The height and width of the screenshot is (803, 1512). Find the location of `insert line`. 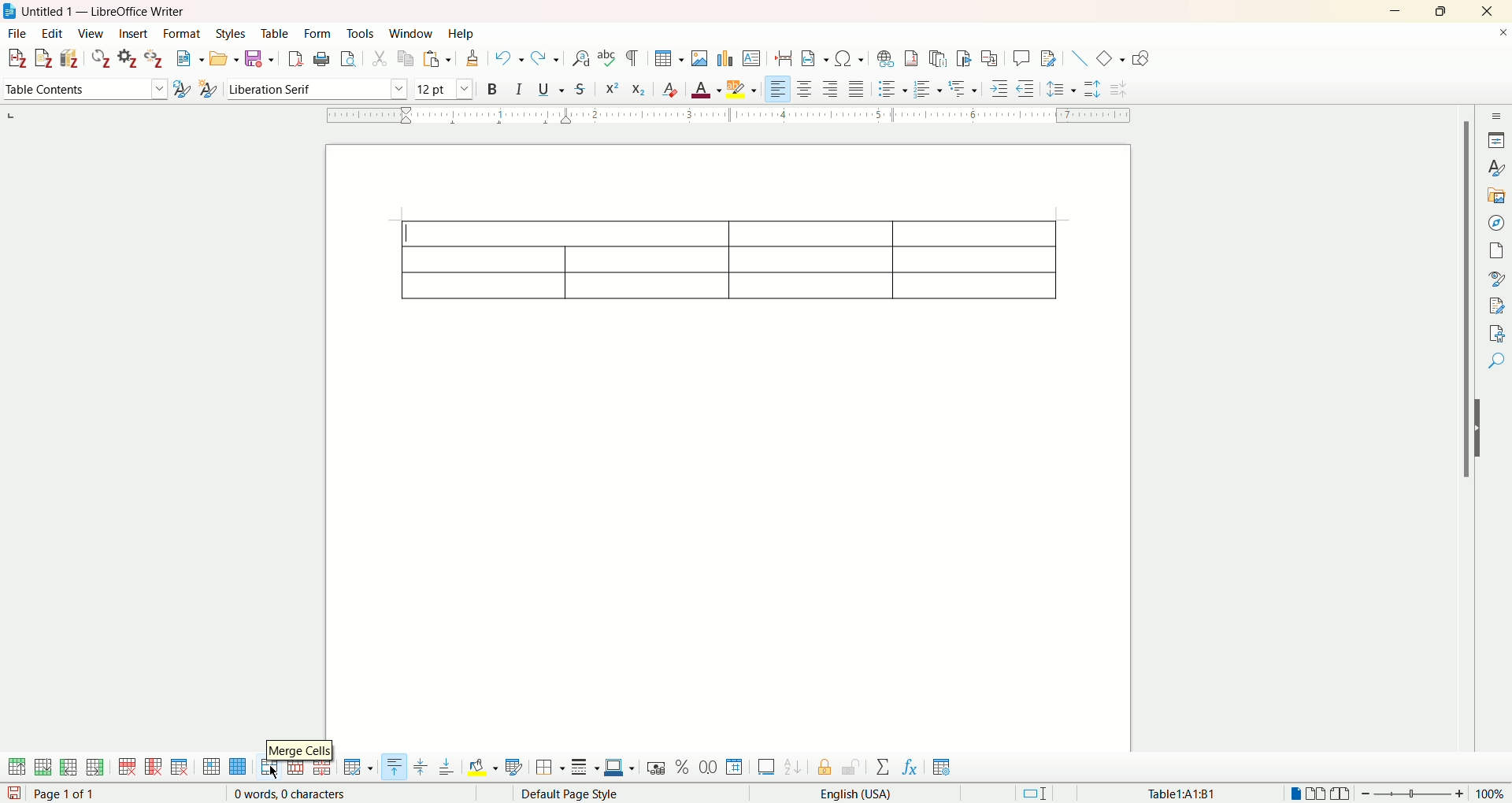

insert line is located at coordinates (1080, 58).